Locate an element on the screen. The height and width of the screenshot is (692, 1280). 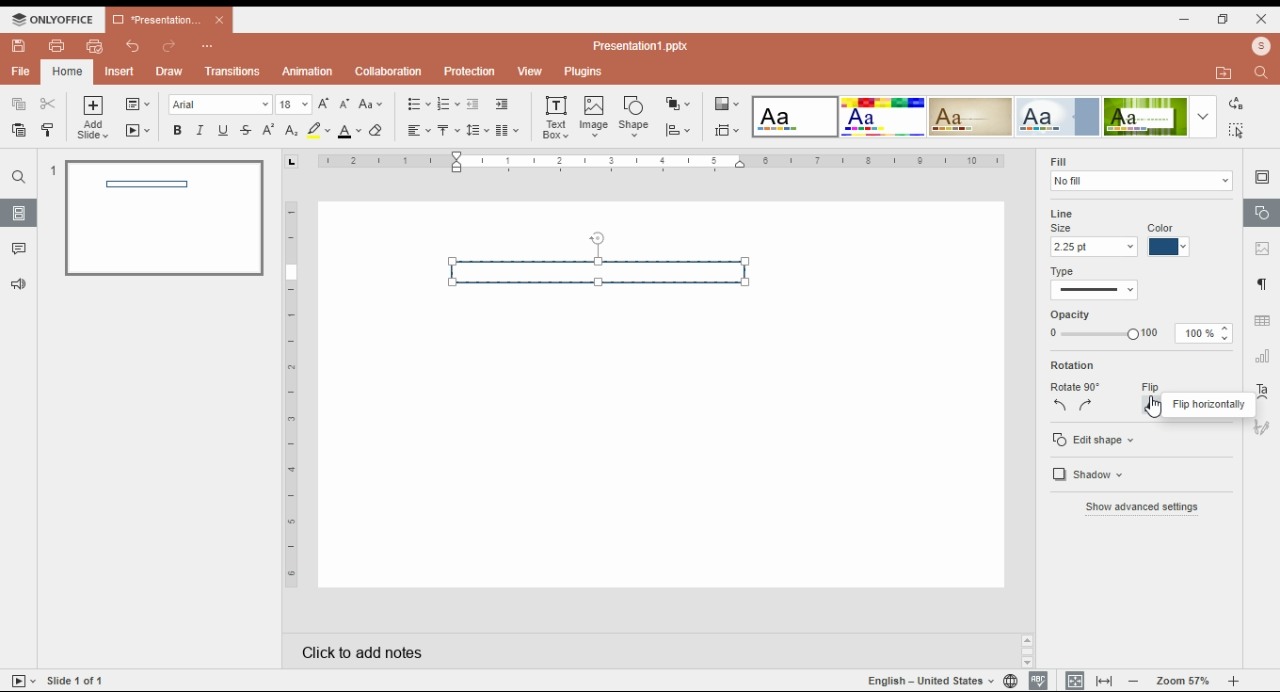
language settings is located at coordinates (1009, 681).